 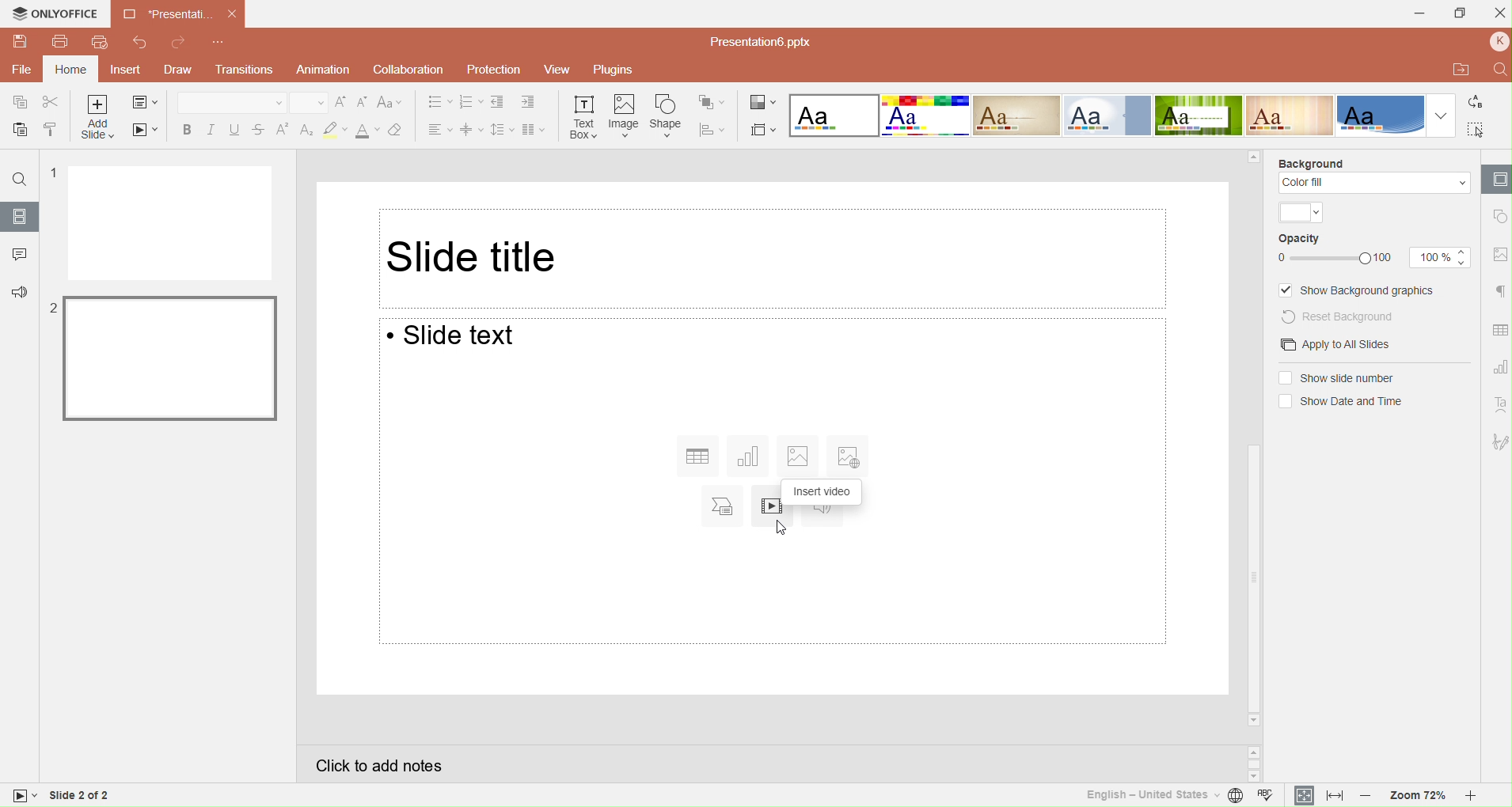 What do you see at coordinates (171, 358) in the screenshot?
I see `Slide 2` at bounding box center [171, 358].